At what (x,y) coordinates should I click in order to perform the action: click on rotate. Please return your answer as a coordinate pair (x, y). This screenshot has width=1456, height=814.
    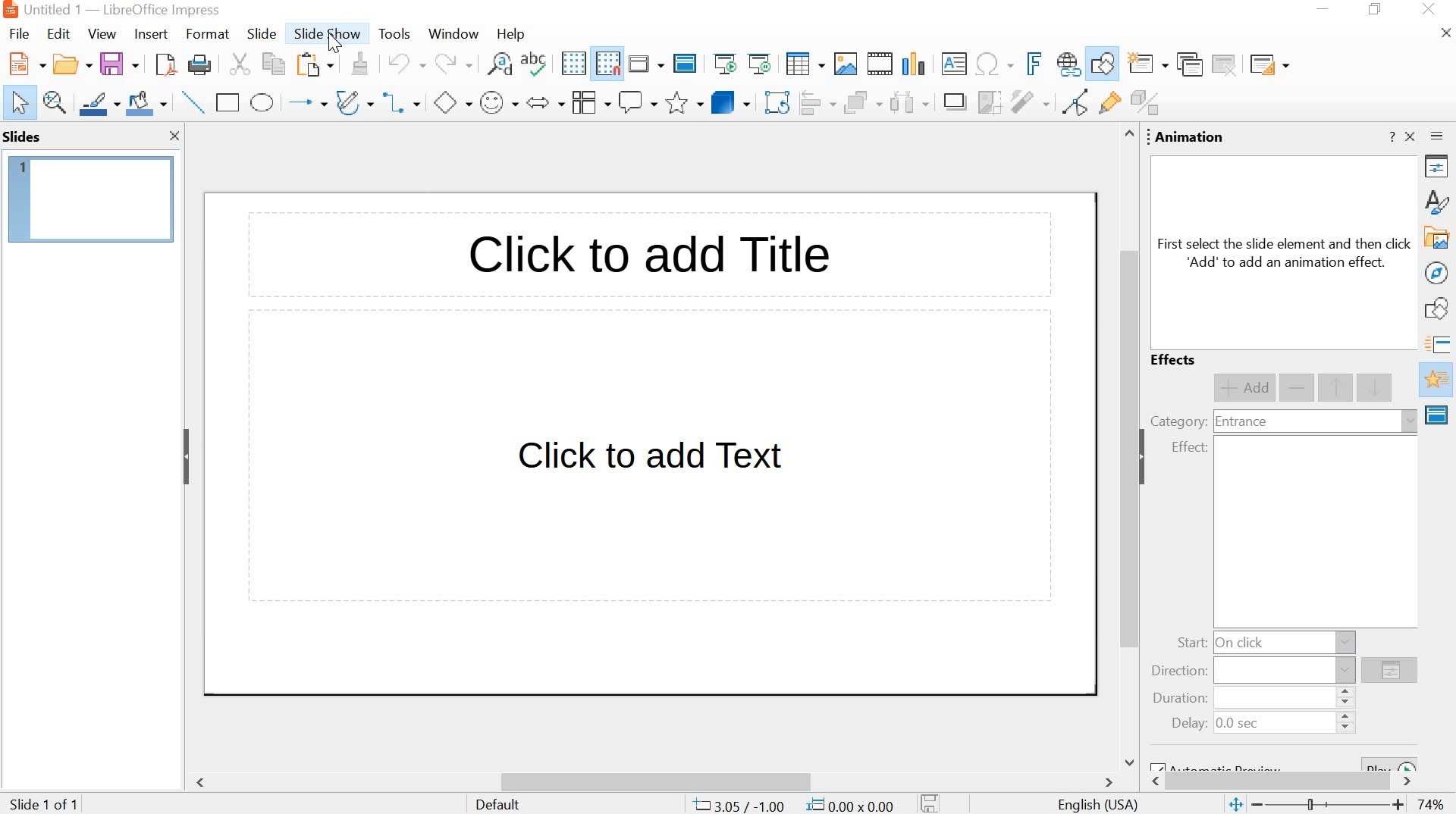
    Looking at the image, I should click on (776, 104).